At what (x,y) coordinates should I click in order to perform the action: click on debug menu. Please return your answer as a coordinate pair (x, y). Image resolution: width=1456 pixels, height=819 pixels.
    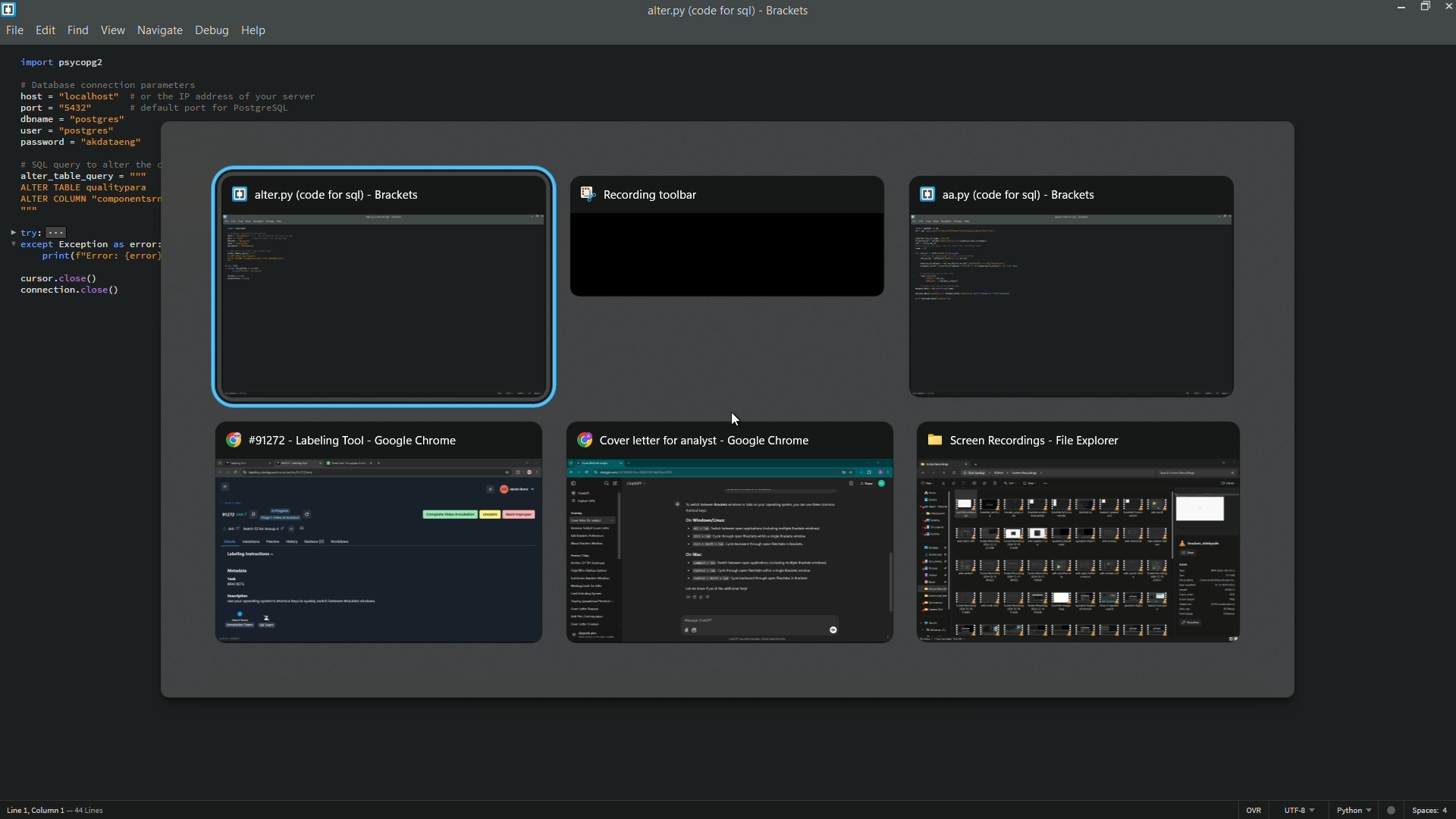
    Looking at the image, I should click on (211, 32).